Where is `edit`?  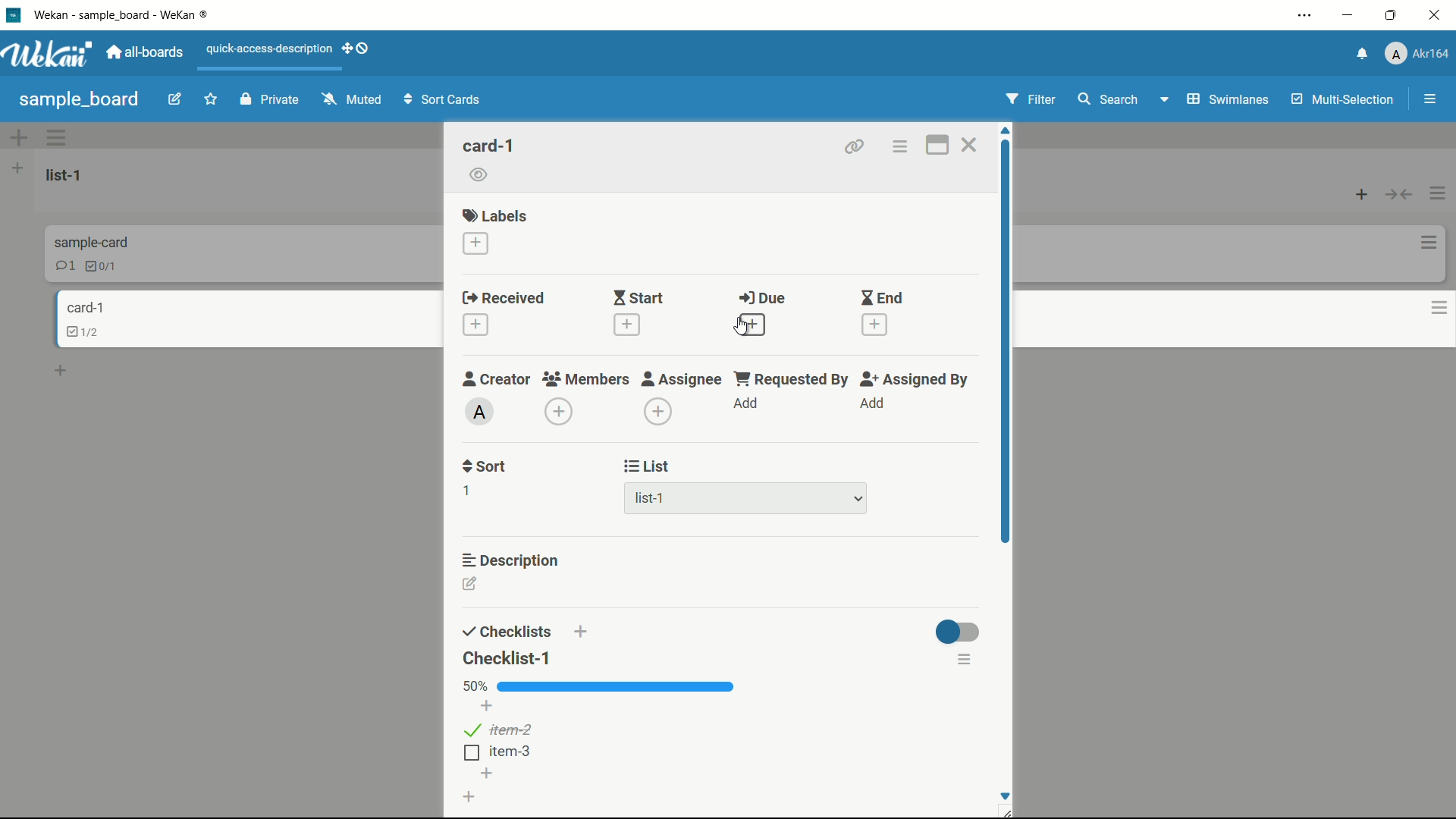
edit is located at coordinates (171, 99).